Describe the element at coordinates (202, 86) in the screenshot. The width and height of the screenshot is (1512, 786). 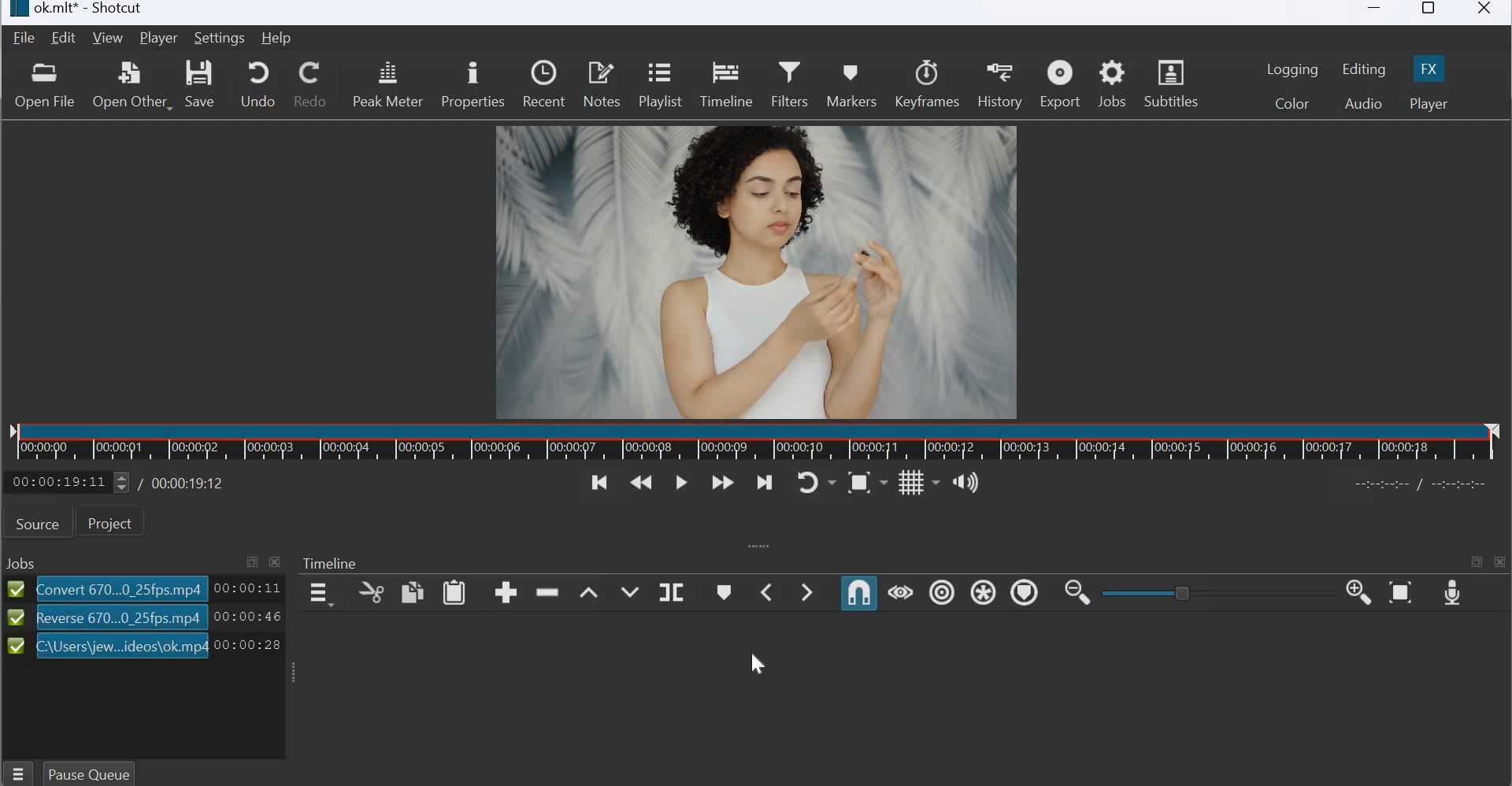
I see `Save` at that location.